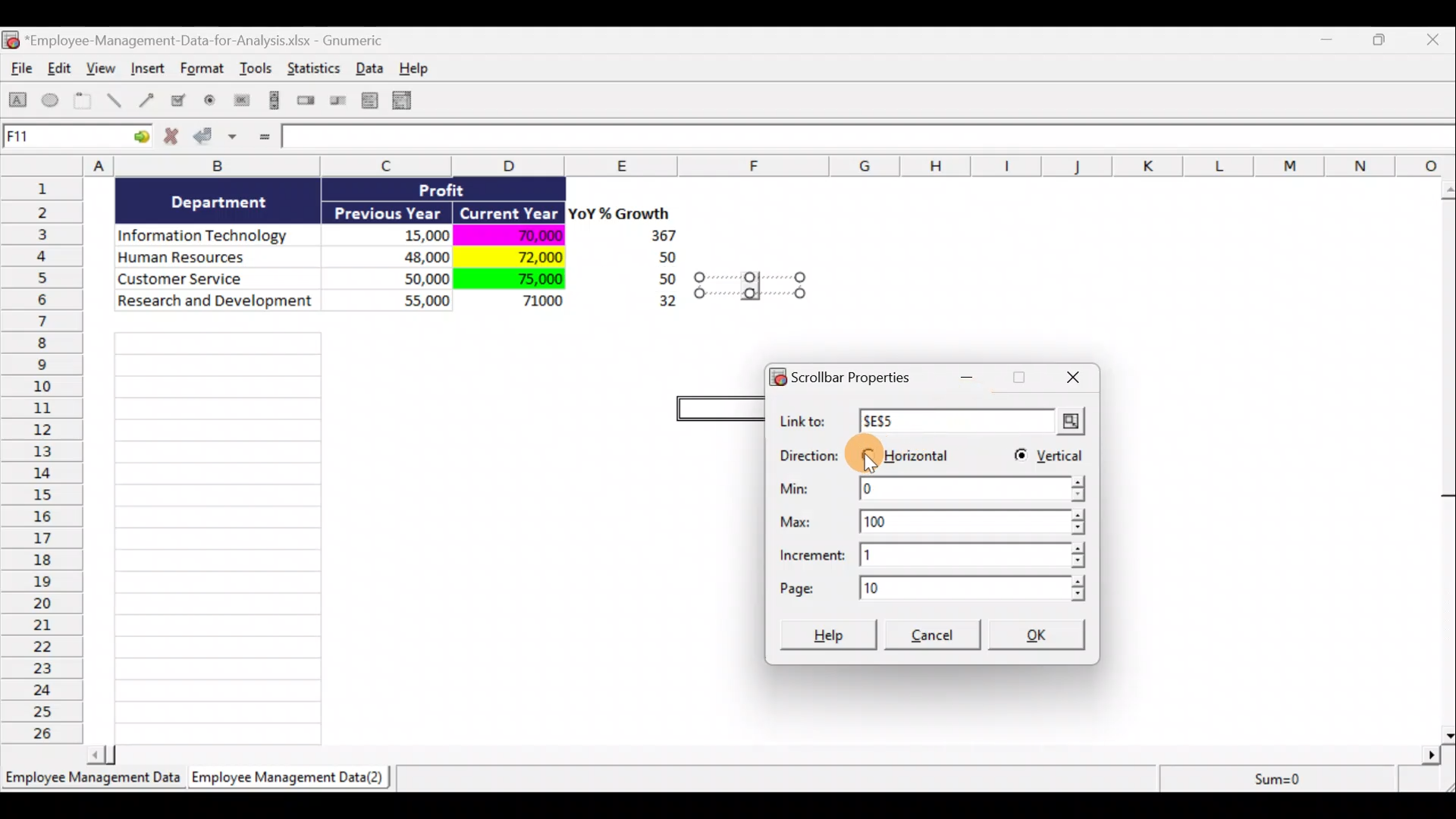 This screenshot has width=1456, height=819. What do you see at coordinates (422, 68) in the screenshot?
I see `Help` at bounding box center [422, 68].